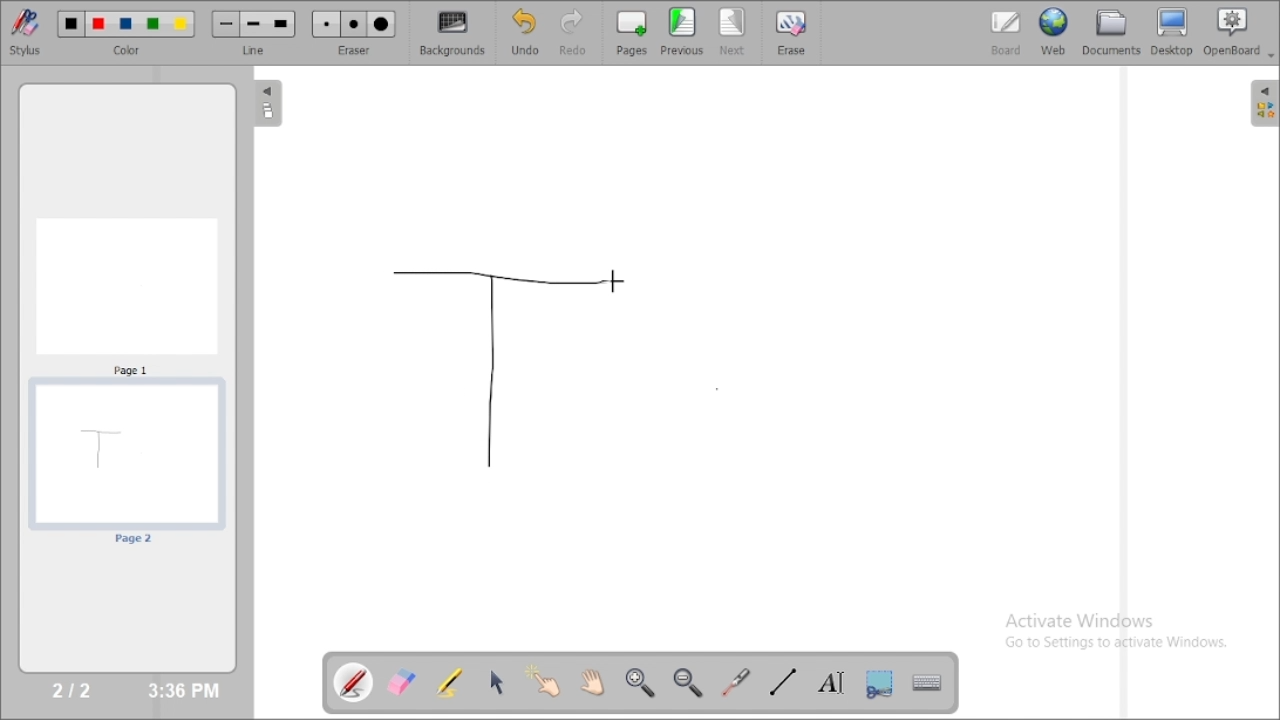 The image size is (1280, 720). I want to click on Color 4, so click(153, 25).